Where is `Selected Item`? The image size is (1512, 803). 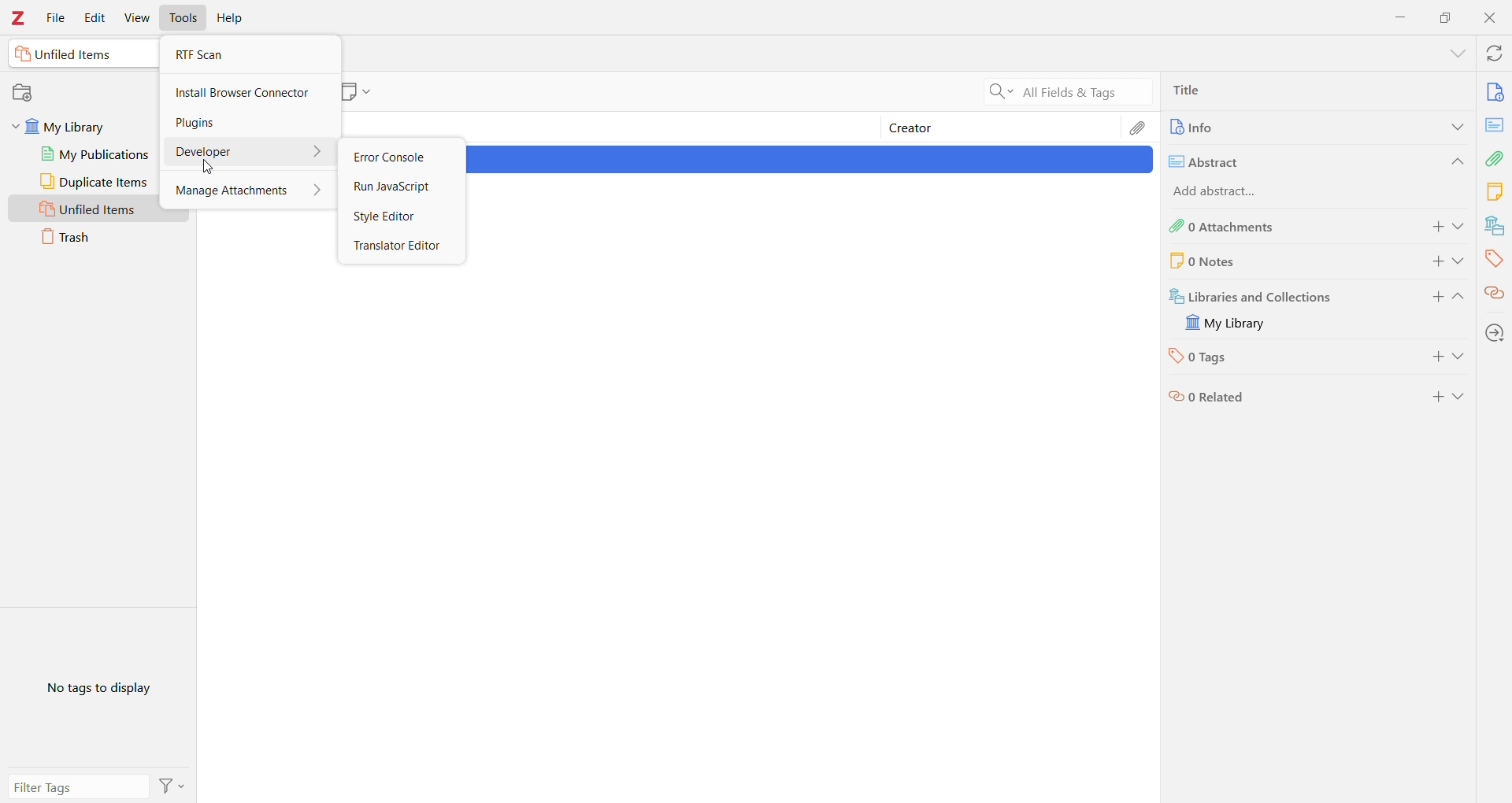 Selected Item is located at coordinates (810, 160).